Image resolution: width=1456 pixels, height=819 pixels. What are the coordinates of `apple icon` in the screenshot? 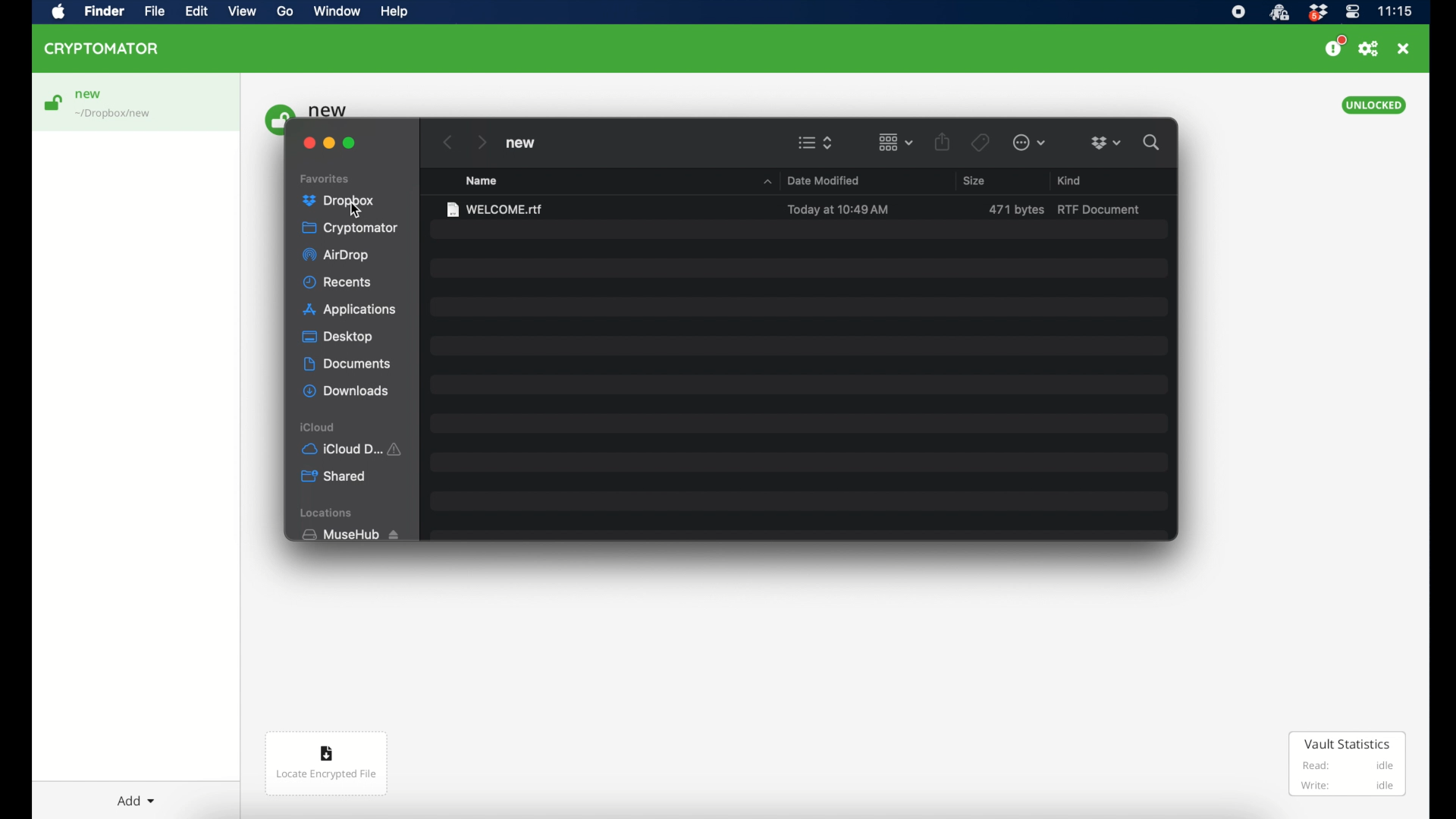 It's located at (59, 13).